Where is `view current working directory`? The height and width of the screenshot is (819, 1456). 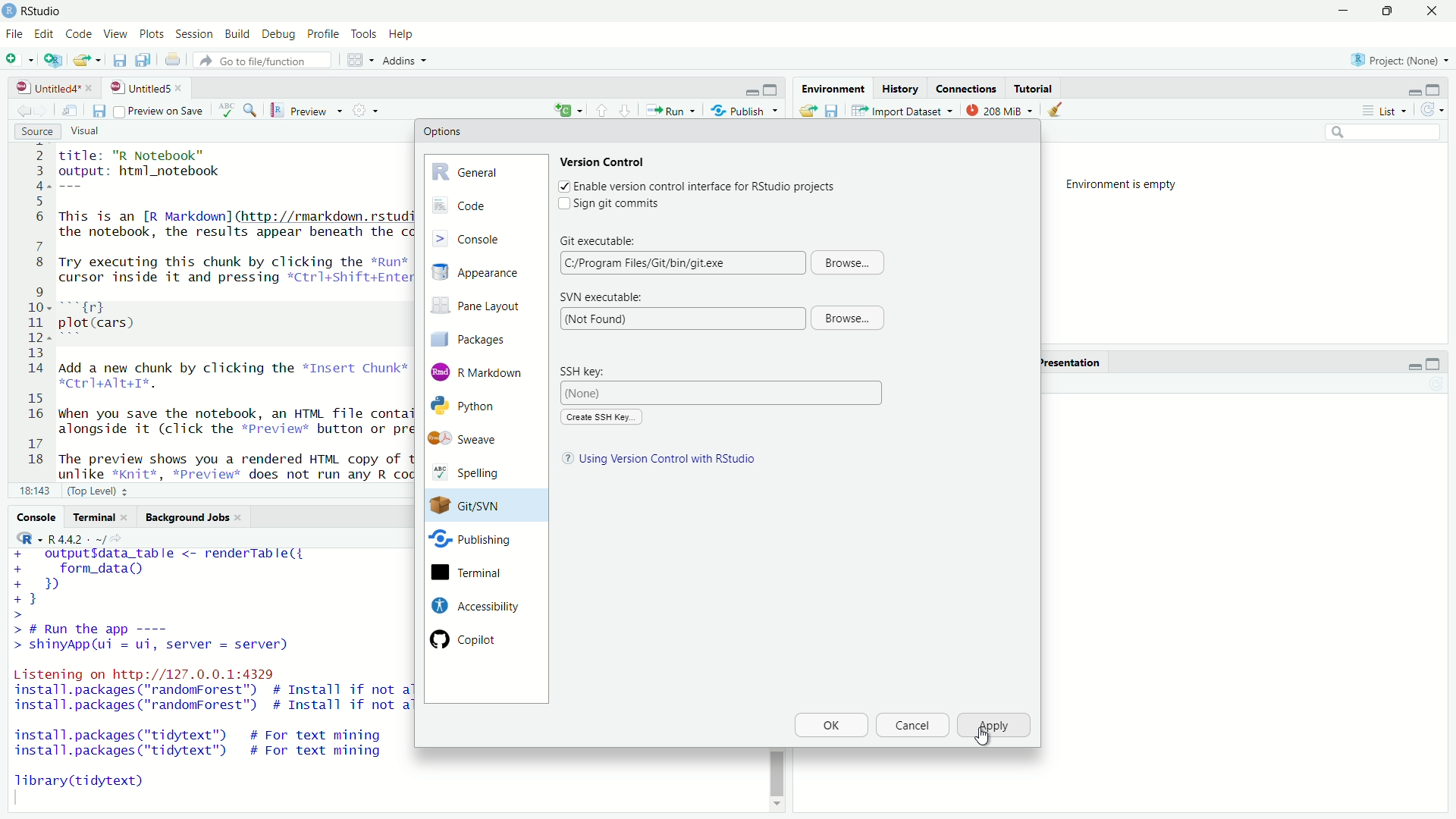
view current working directory is located at coordinates (120, 538).